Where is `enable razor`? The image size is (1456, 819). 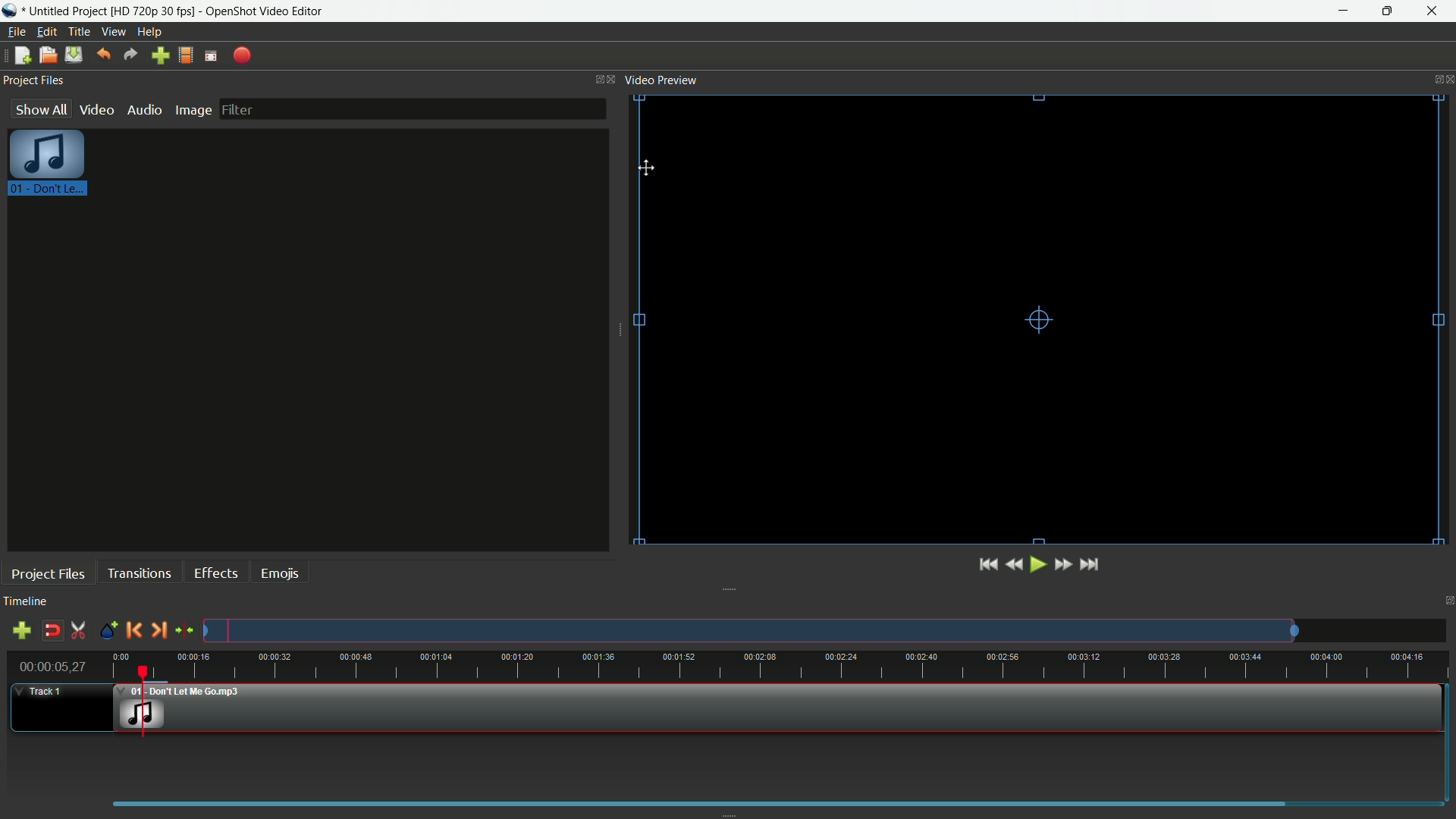 enable razor is located at coordinates (80, 631).